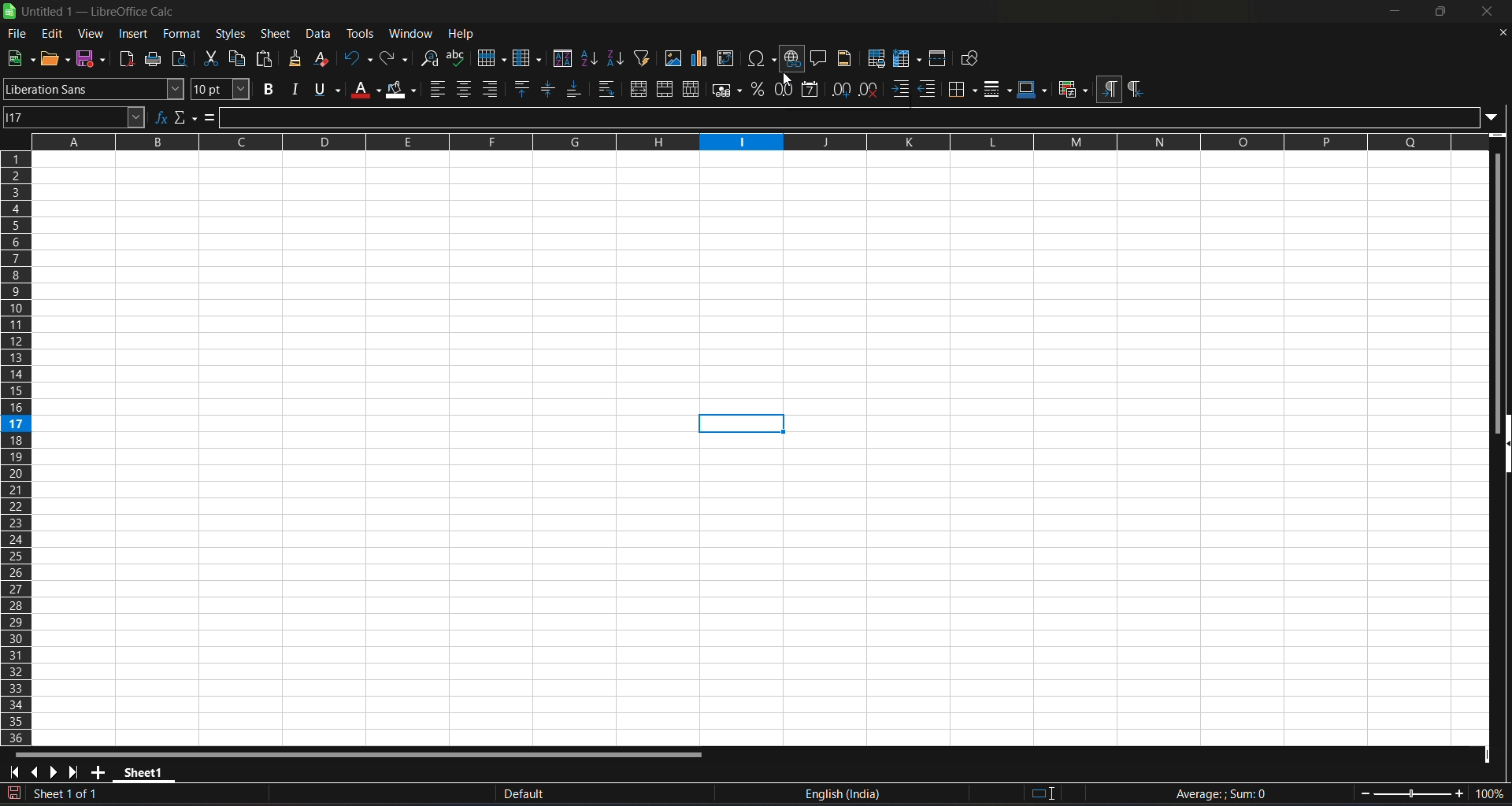 Image resolution: width=1512 pixels, height=806 pixels. What do you see at coordinates (617, 57) in the screenshot?
I see `sort descending` at bounding box center [617, 57].